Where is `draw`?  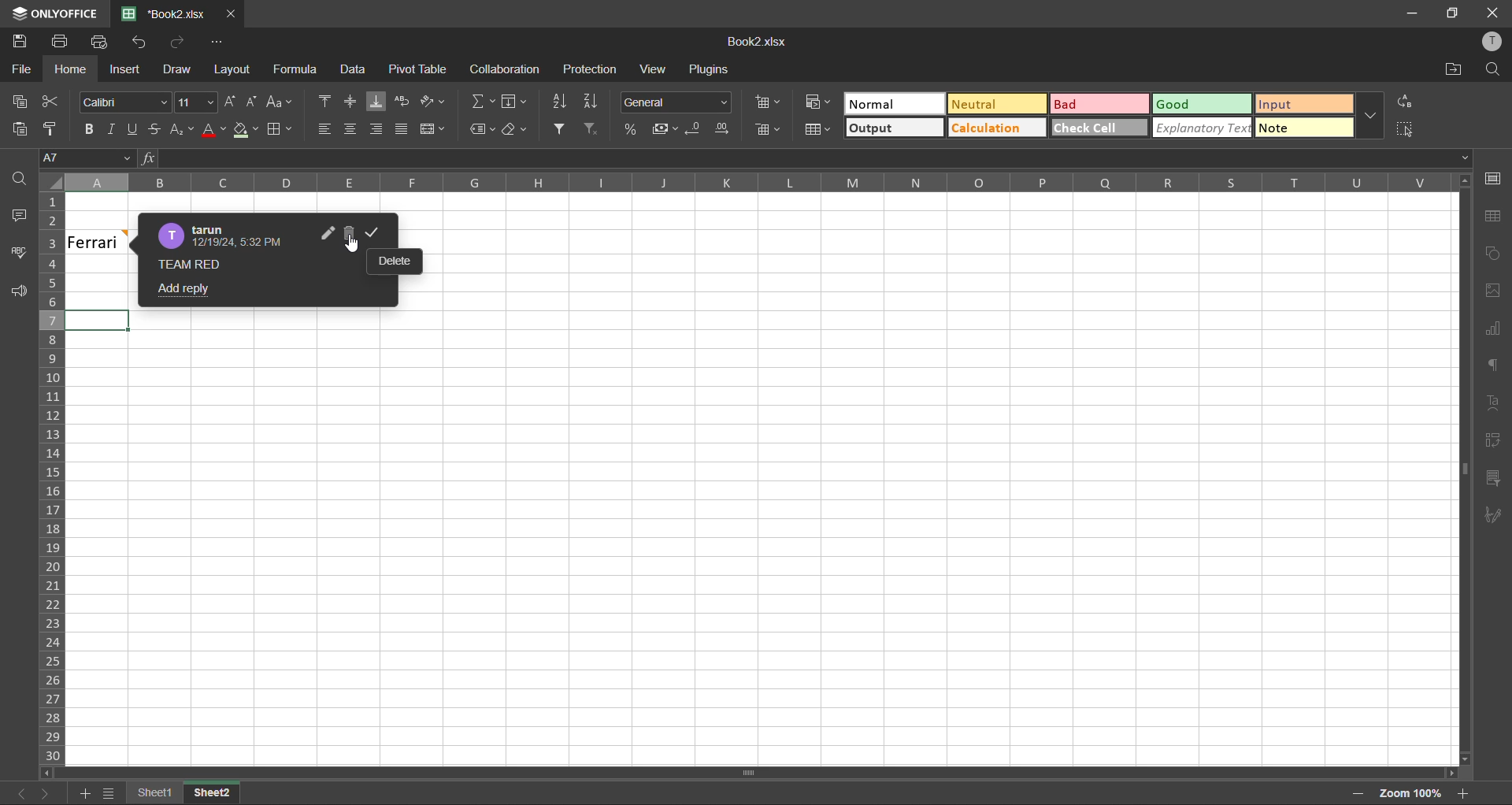
draw is located at coordinates (180, 69).